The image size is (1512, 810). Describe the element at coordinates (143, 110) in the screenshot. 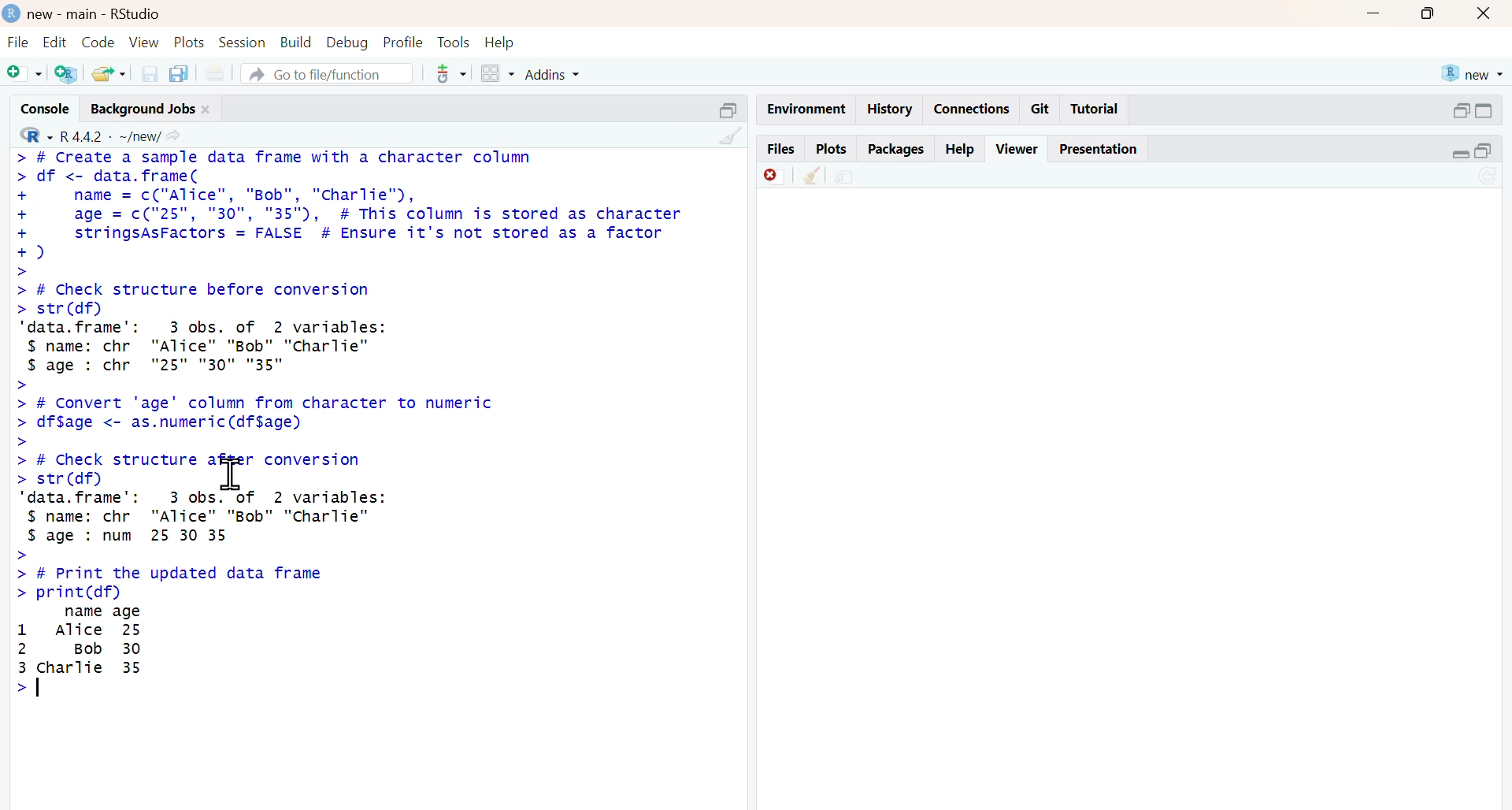

I see `background jobs` at that location.